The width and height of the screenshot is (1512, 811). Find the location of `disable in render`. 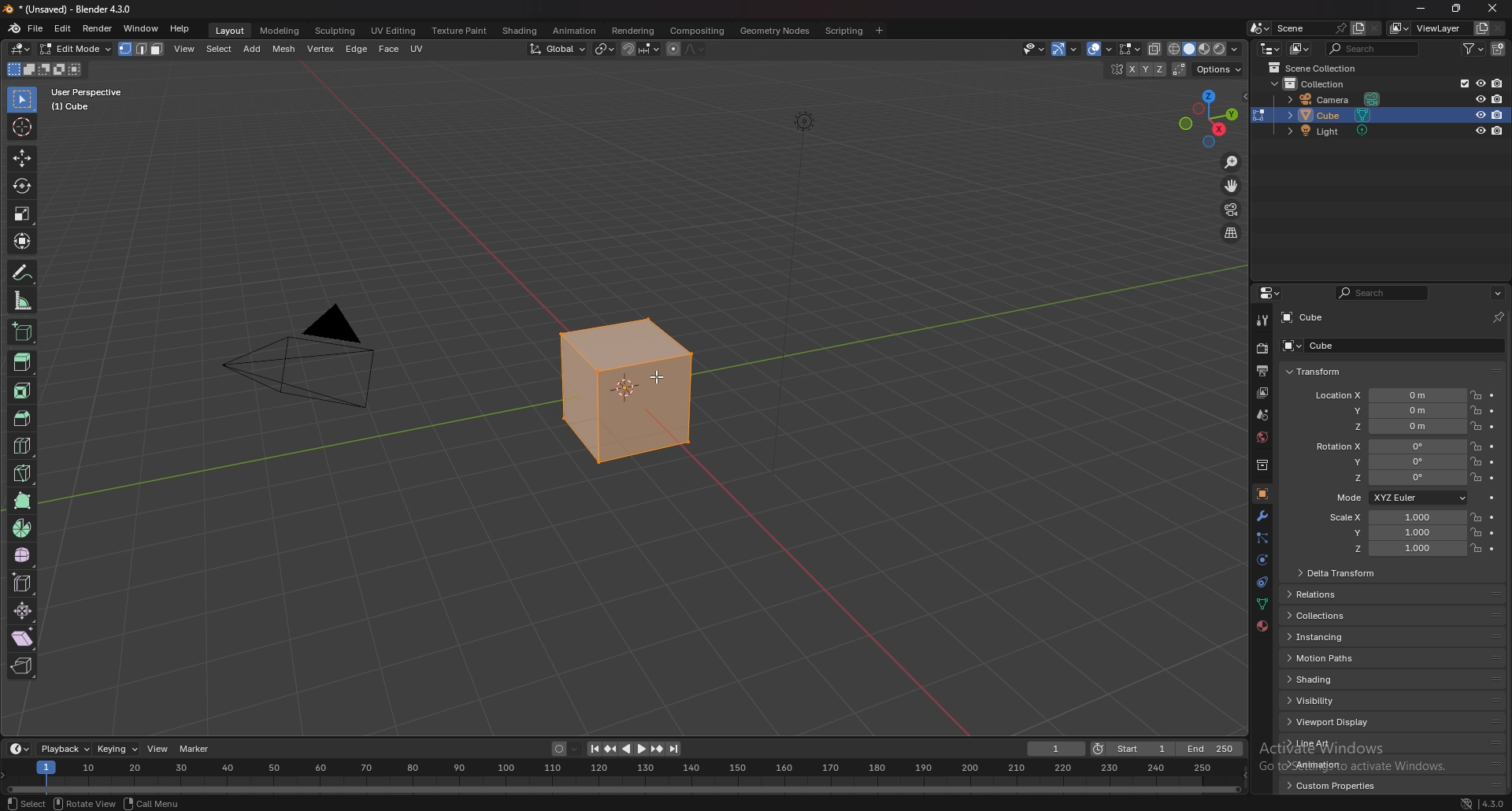

disable in render is located at coordinates (1498, 99).